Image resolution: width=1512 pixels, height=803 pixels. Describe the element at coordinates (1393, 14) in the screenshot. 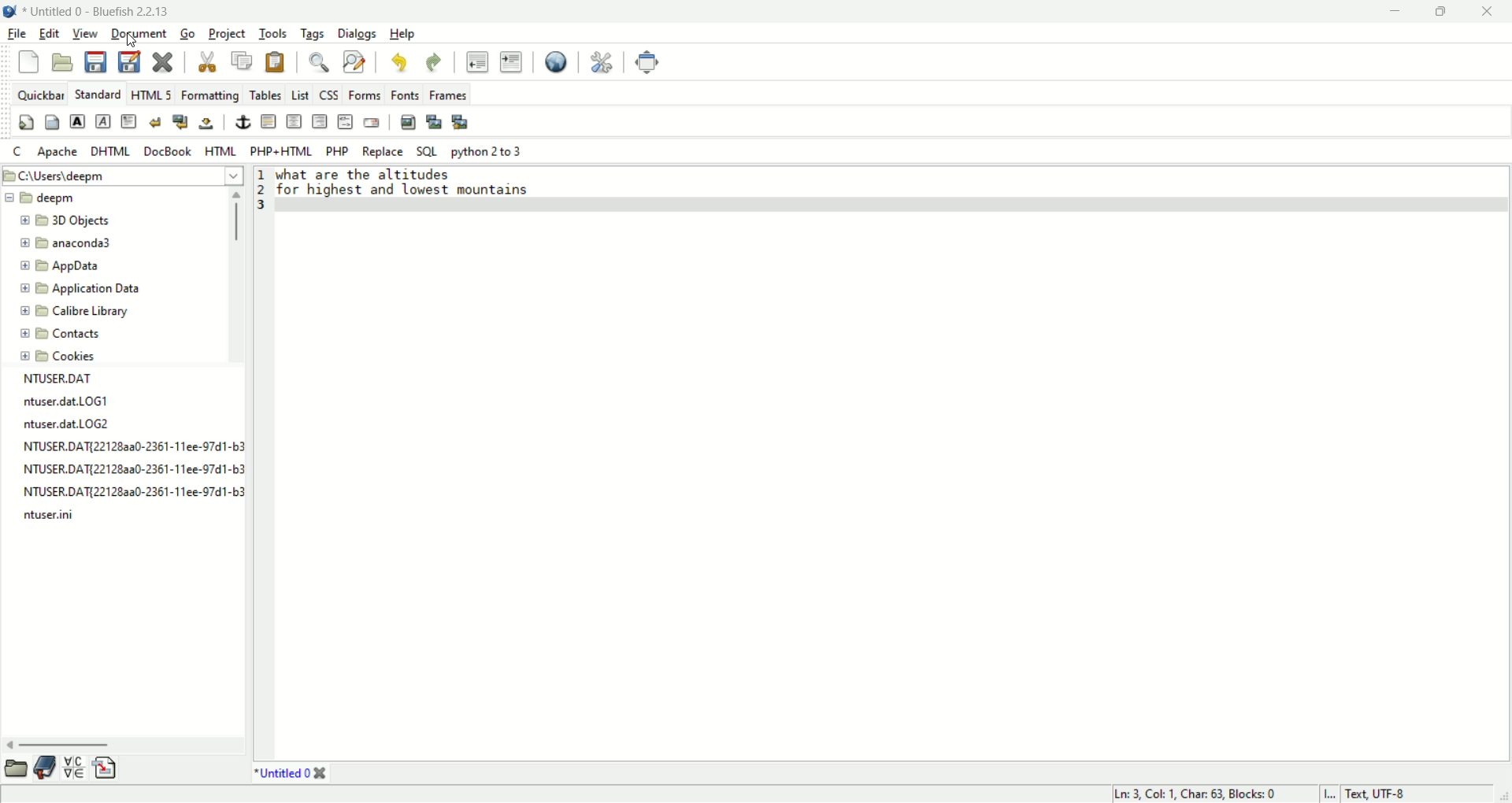

I see `minimize` at that location.